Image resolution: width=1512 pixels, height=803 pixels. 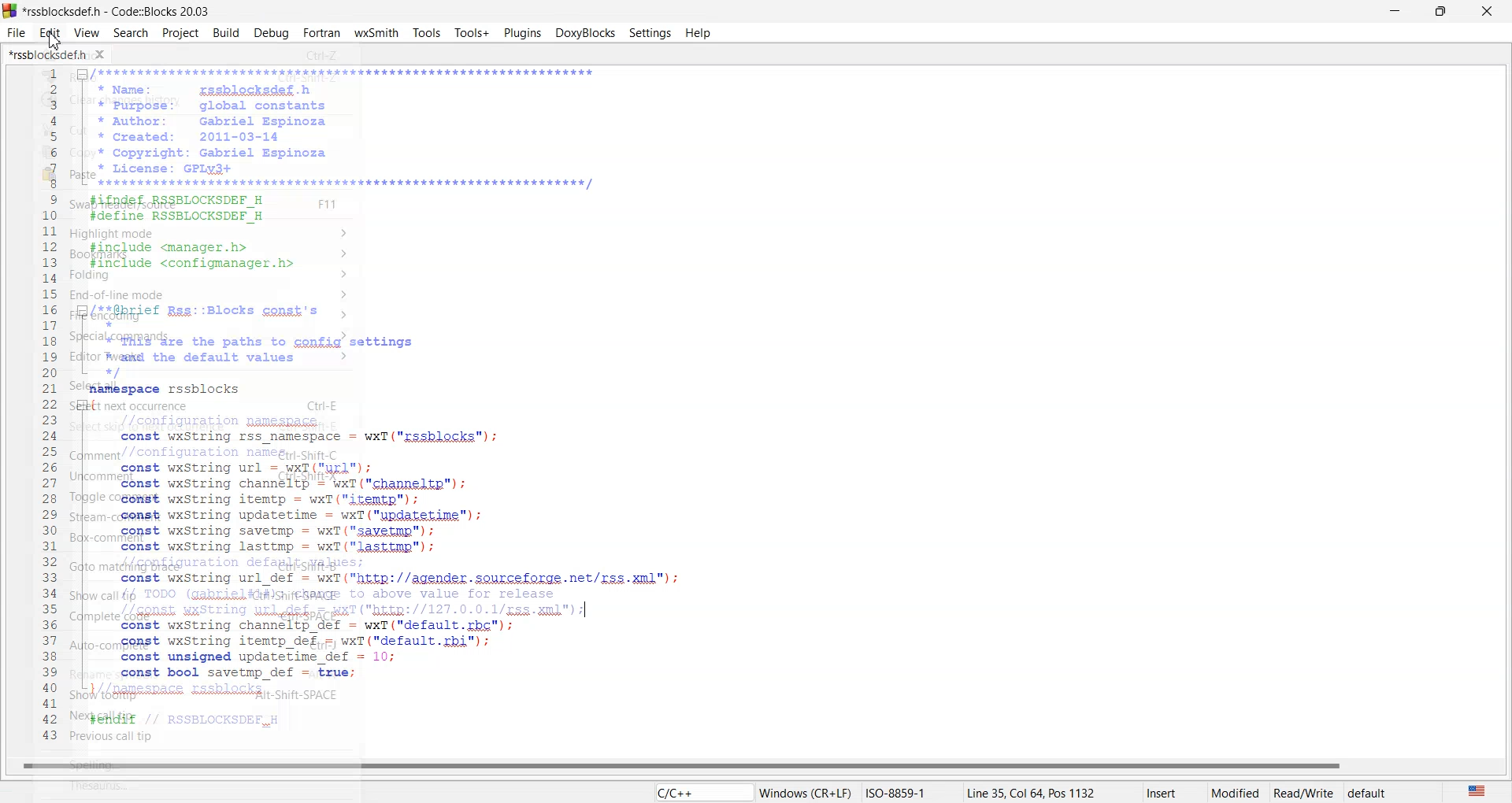 What do you see at coordinates (376, 33) in the screenshot?
I see `W X Smith` at bounding box center [376, 33].